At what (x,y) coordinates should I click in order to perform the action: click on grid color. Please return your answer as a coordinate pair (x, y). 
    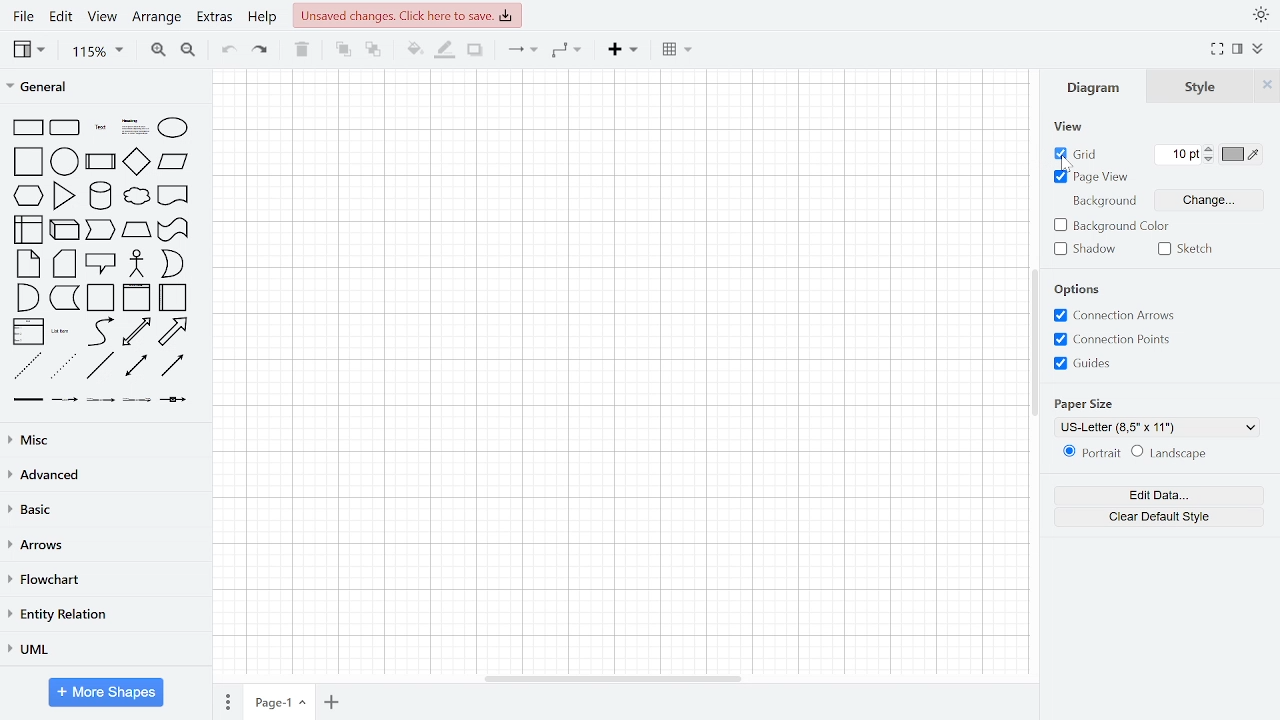
    Looking at the image, I should click on (1243, 155).